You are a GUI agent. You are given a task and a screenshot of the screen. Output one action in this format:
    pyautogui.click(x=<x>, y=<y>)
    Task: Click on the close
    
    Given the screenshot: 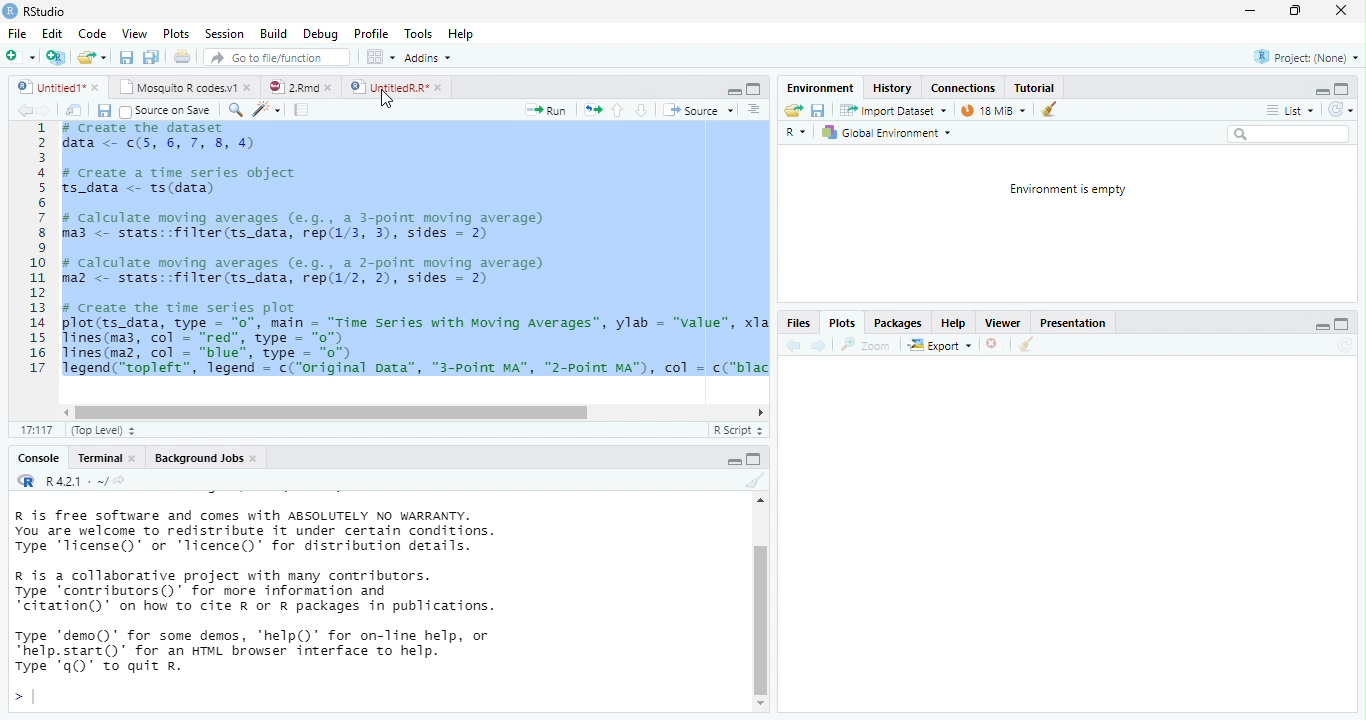 What is the action you would take?
    pyautogui.click(x=256, y=459)
    